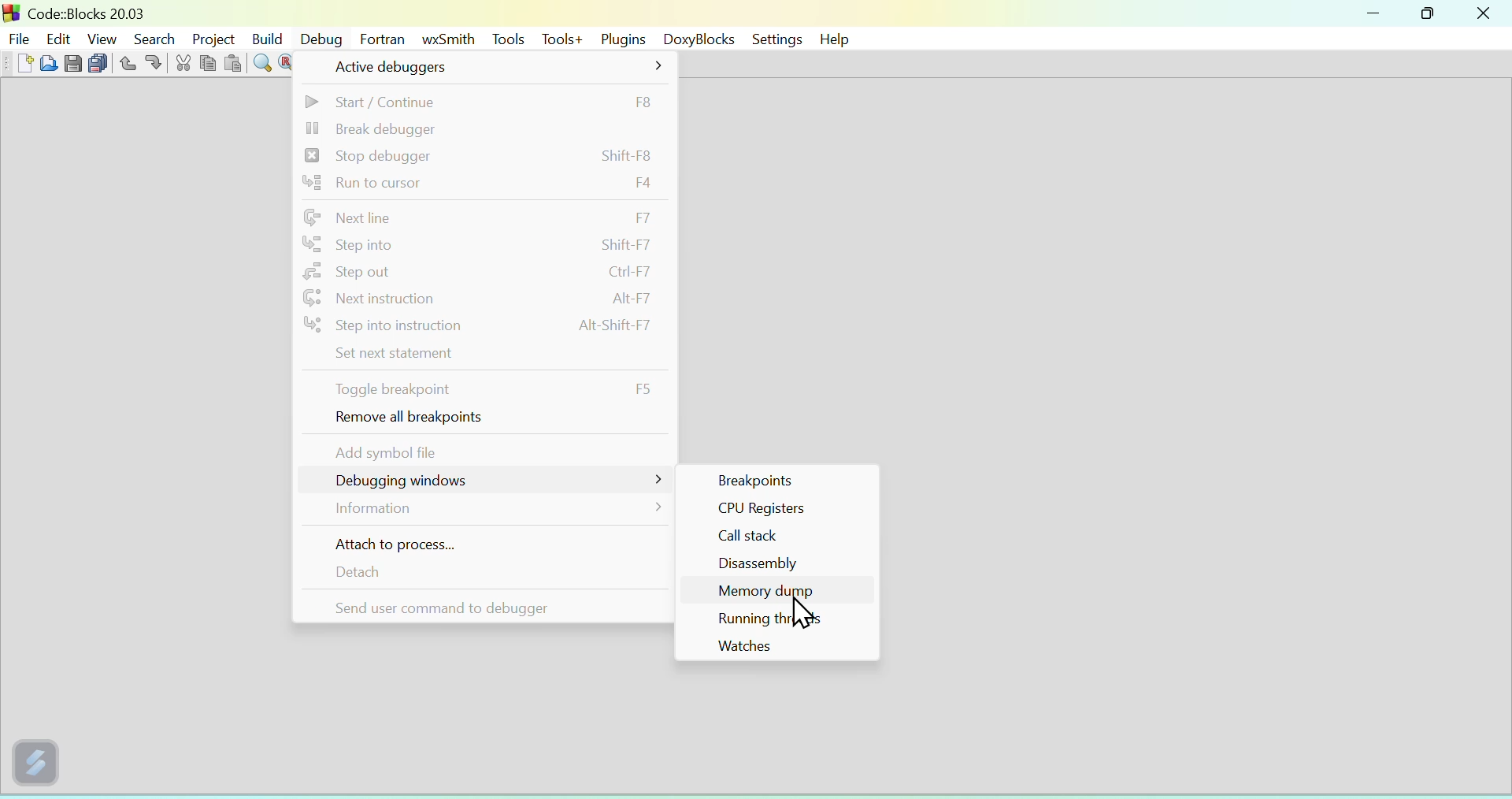  What do you see at coordinates (47, 65) in the screenshot?
I see `open file from folder` at bounding box center [47, 65].